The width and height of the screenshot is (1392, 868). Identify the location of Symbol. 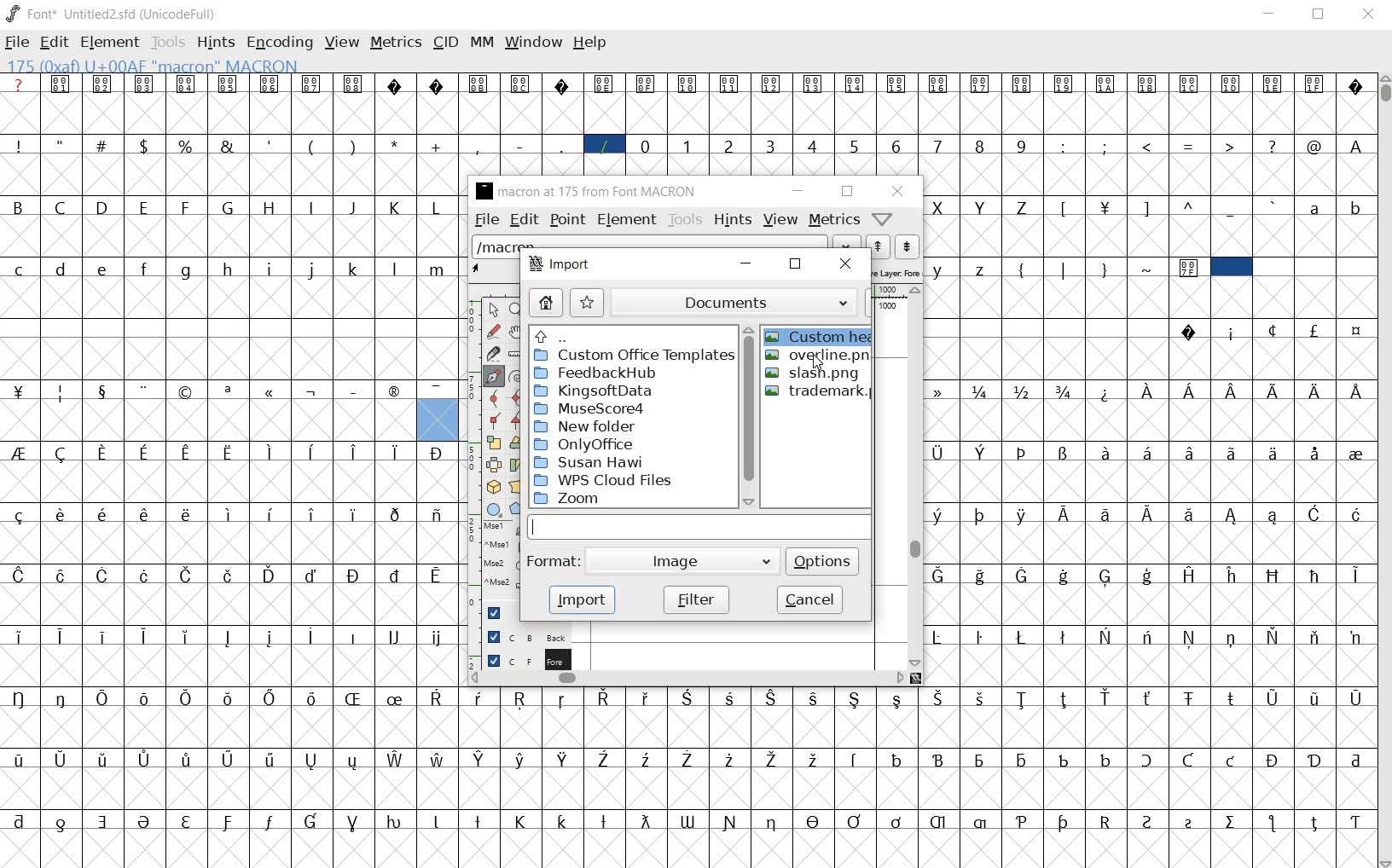
(937, 451).